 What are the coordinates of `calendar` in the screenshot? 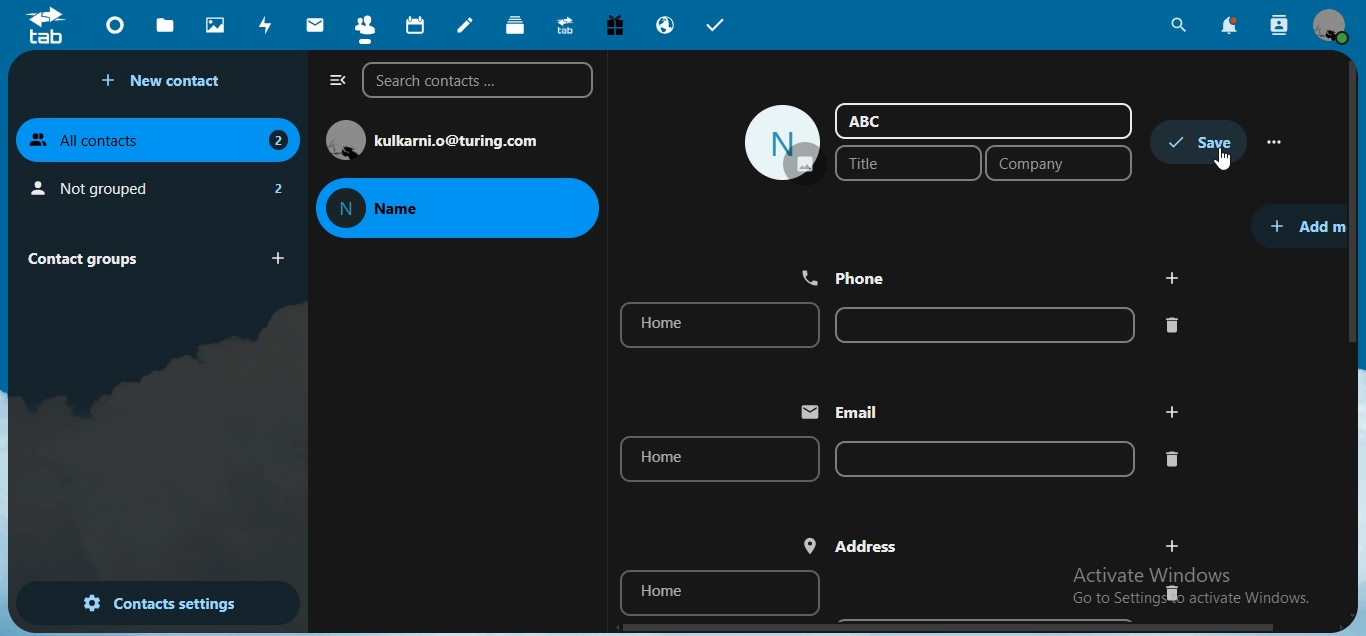 It's located at (413, 23).